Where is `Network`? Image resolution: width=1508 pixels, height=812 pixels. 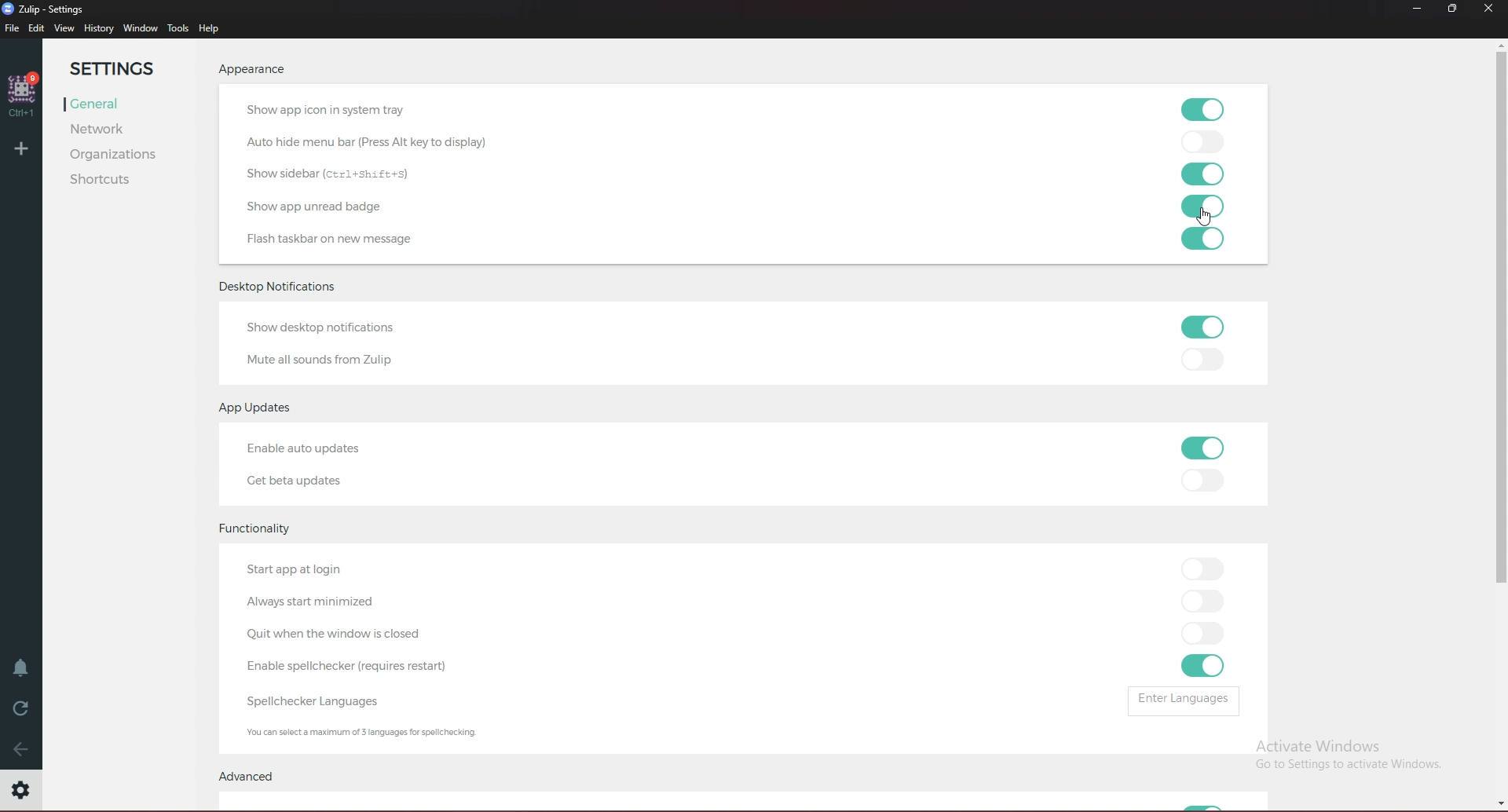 Network is located at coordinates (116, 131).